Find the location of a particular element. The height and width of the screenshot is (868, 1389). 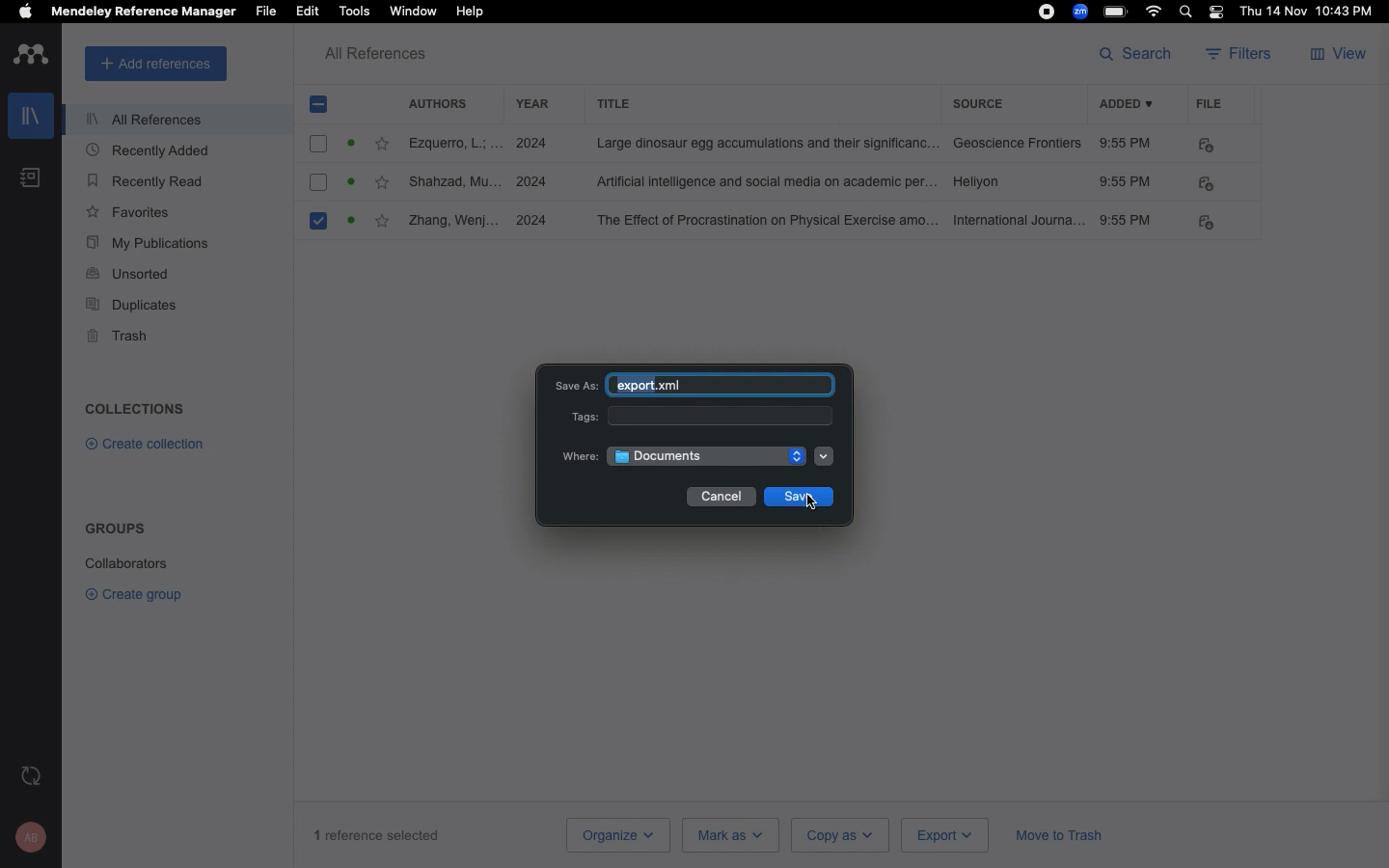

Edit is located at coordinates (309, 13).